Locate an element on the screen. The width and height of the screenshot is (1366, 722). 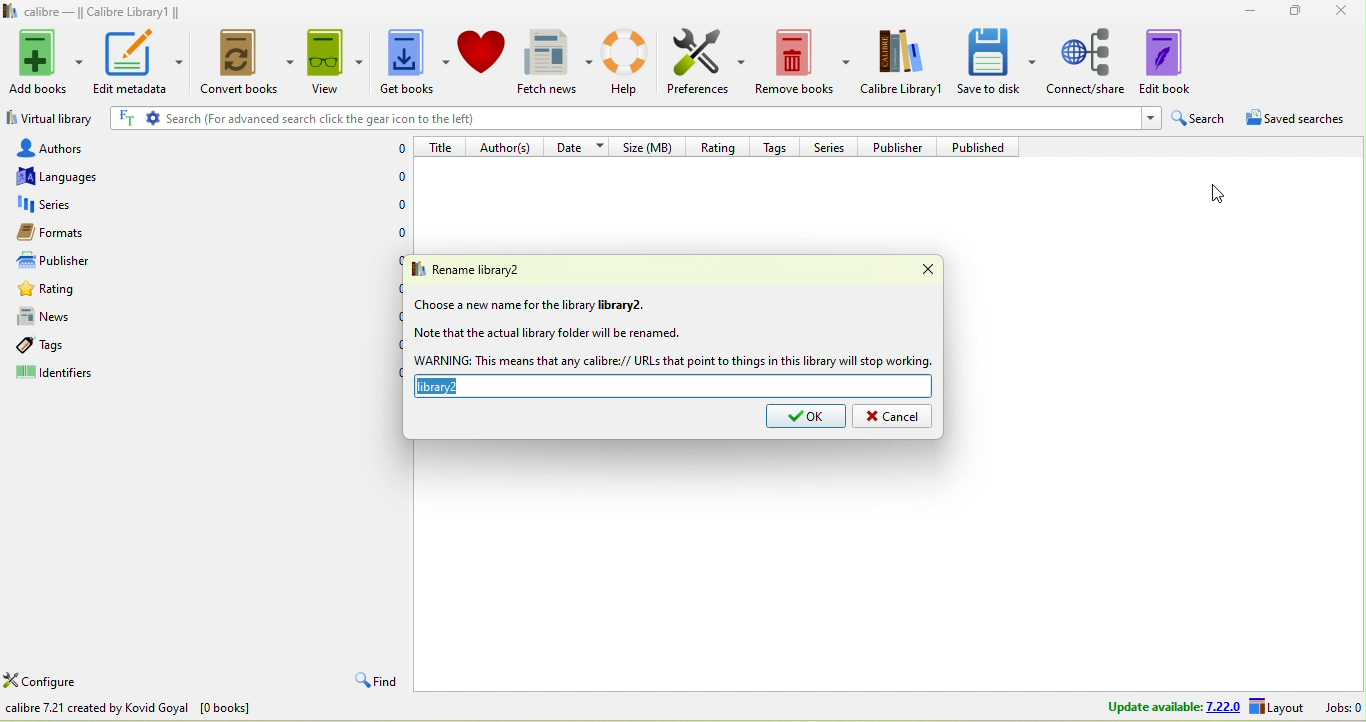
configue is located at coordinates (64, 683).